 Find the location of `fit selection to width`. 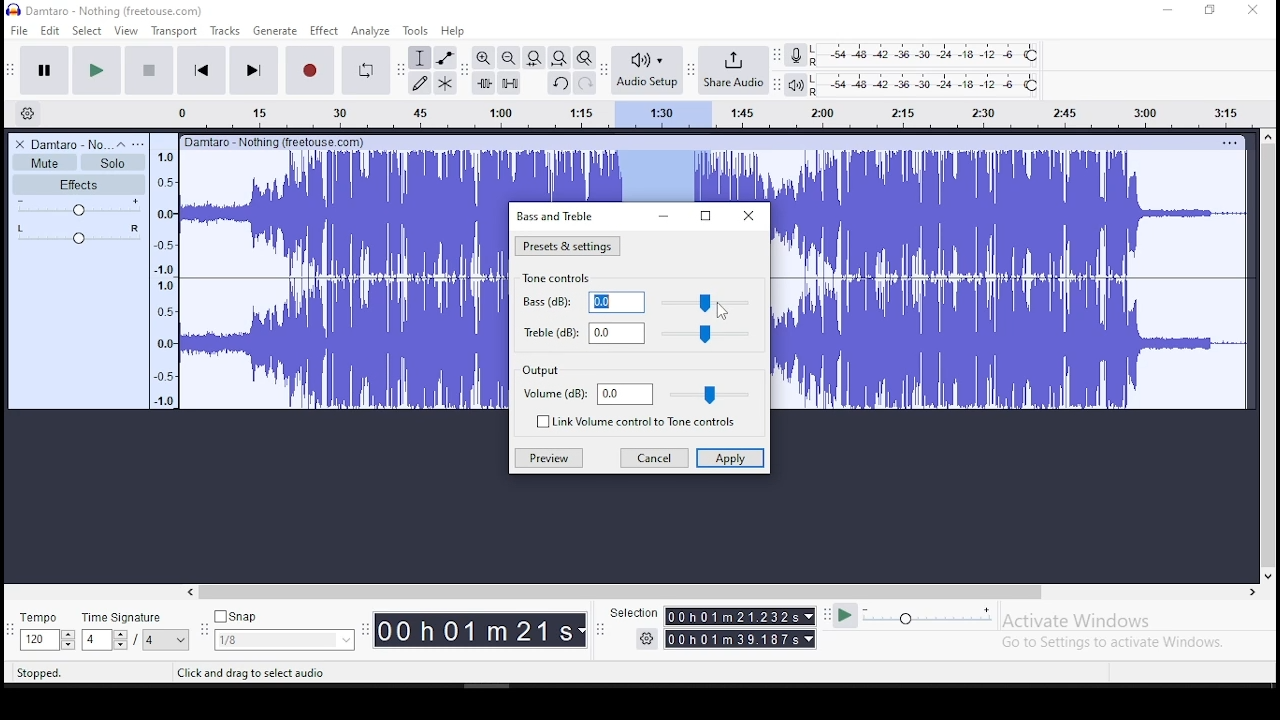

fit selection to width is located at coordinates (533, 56).